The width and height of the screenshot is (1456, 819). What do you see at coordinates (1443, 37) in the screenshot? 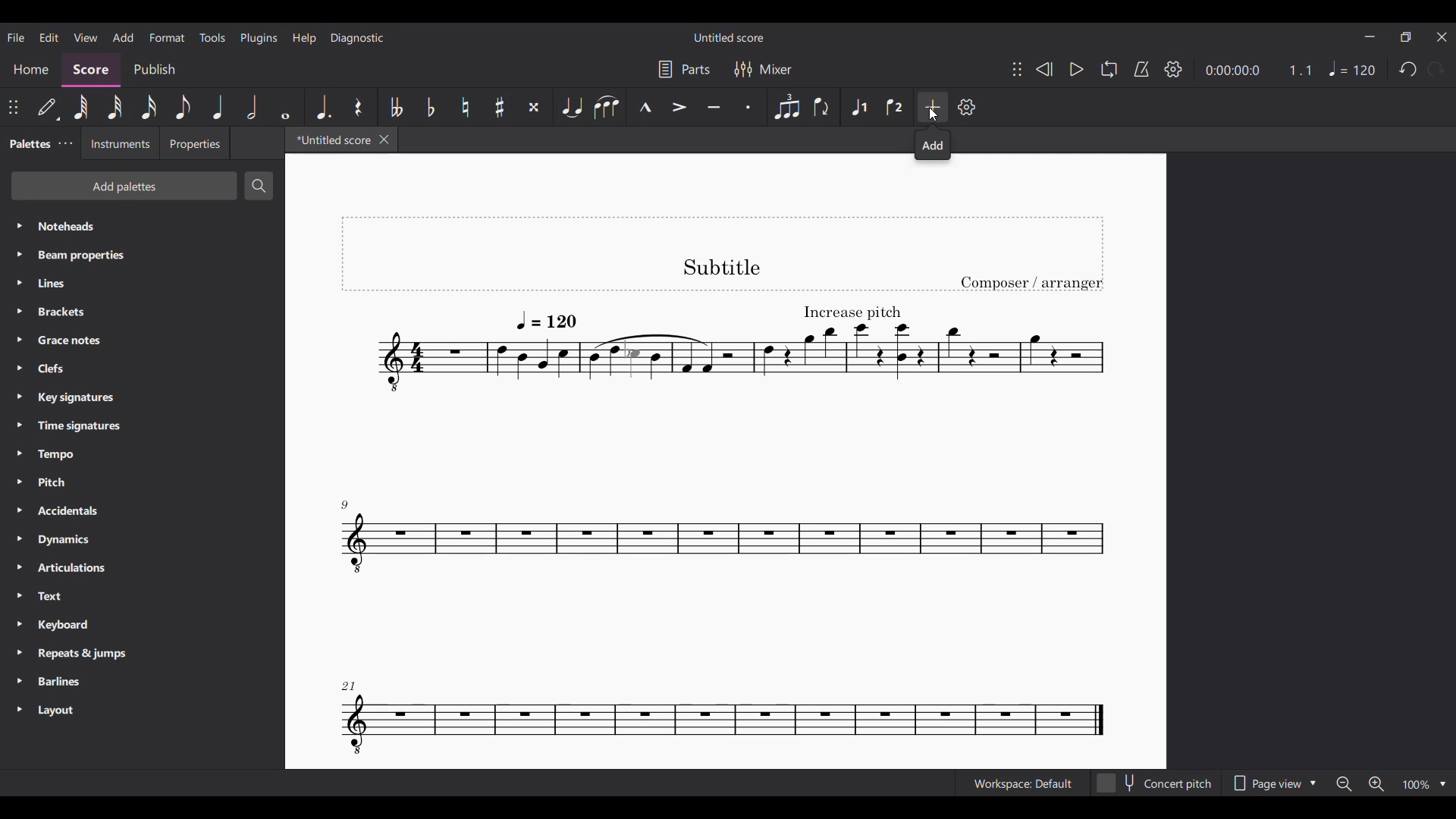
I see `Close interface` at bounding box center [1443, 37].